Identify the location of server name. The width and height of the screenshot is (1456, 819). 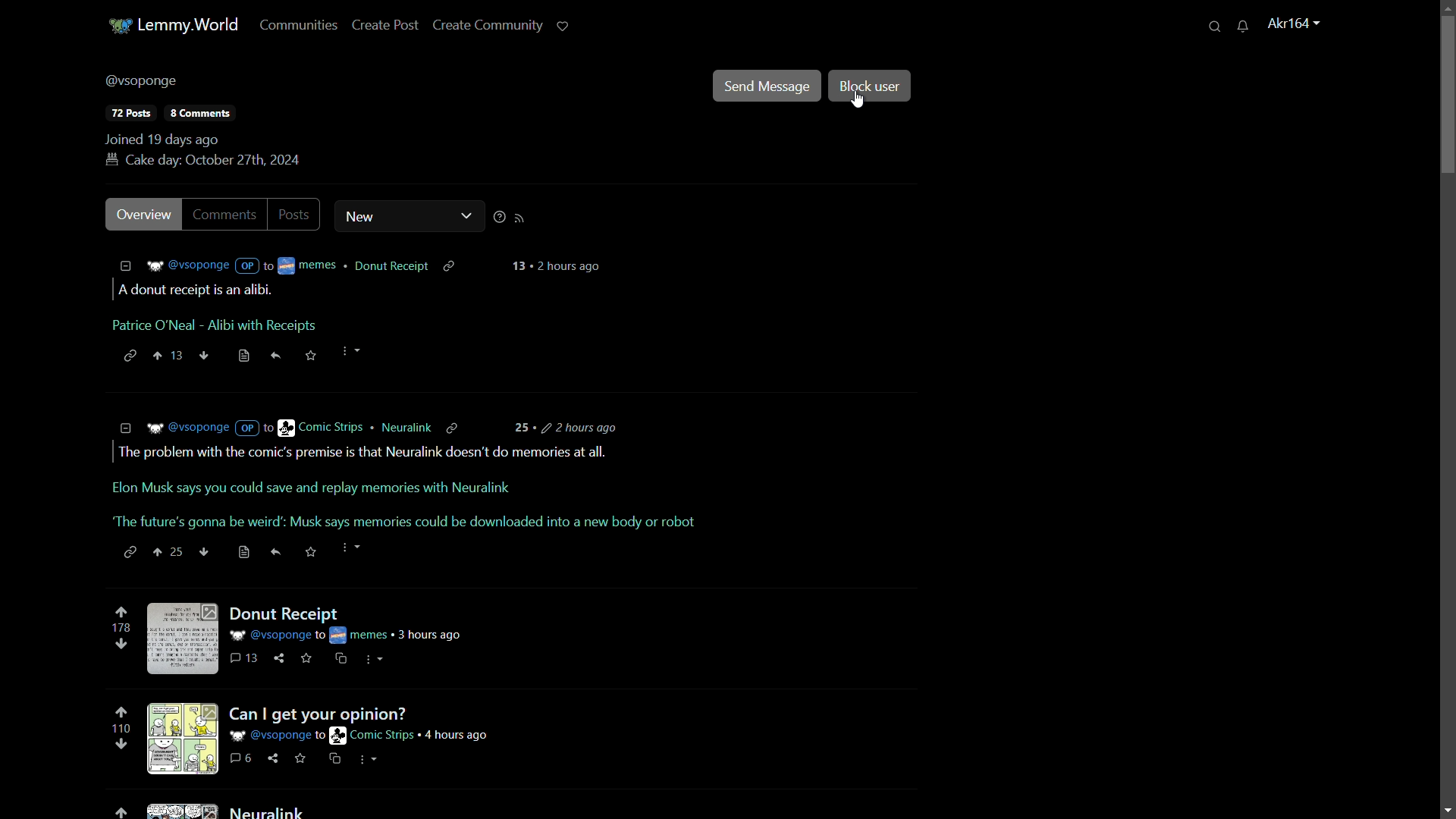
(188, 25).